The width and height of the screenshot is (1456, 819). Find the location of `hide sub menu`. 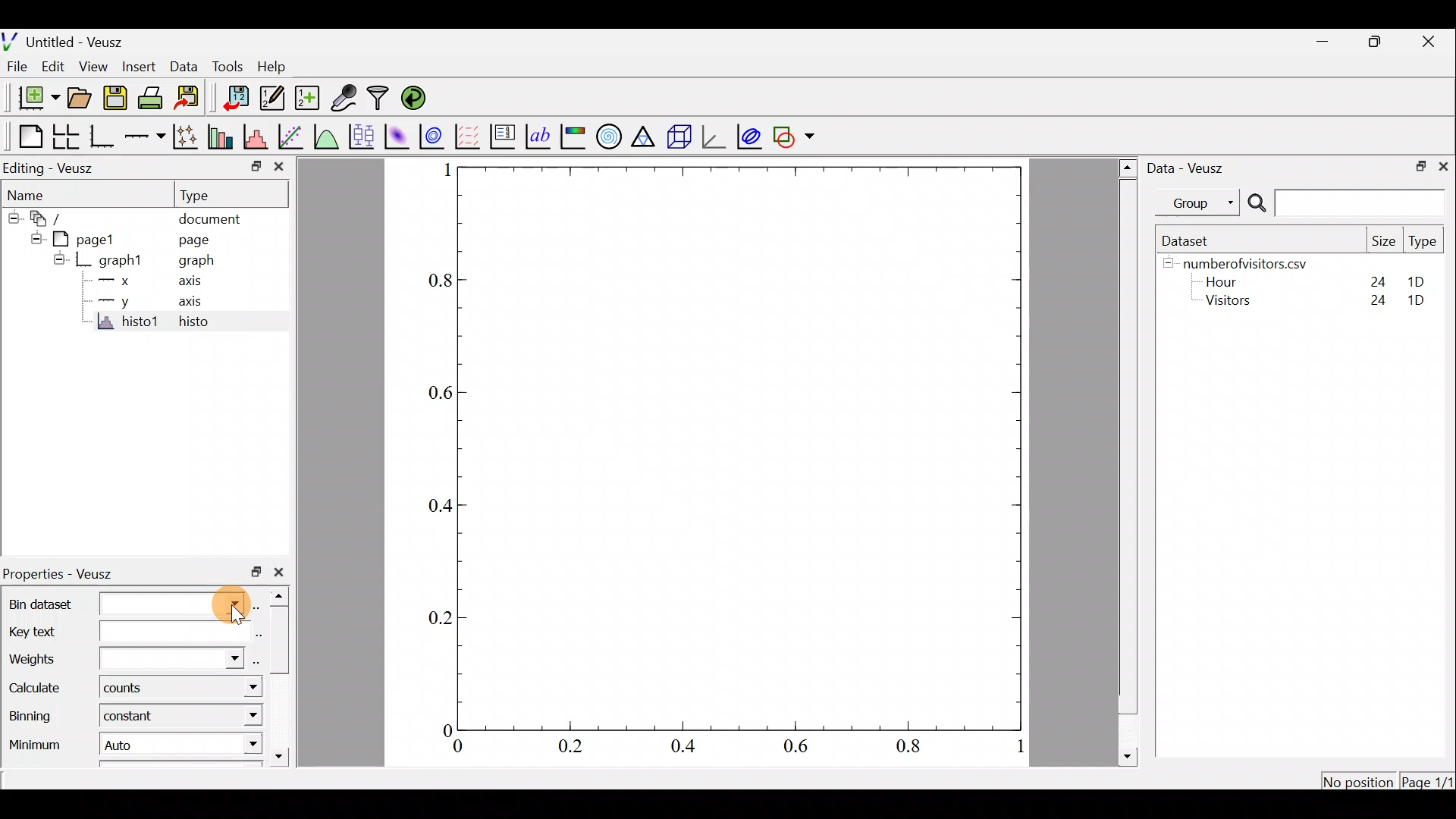

hide sub menu is located at coordinates (1166, 266).